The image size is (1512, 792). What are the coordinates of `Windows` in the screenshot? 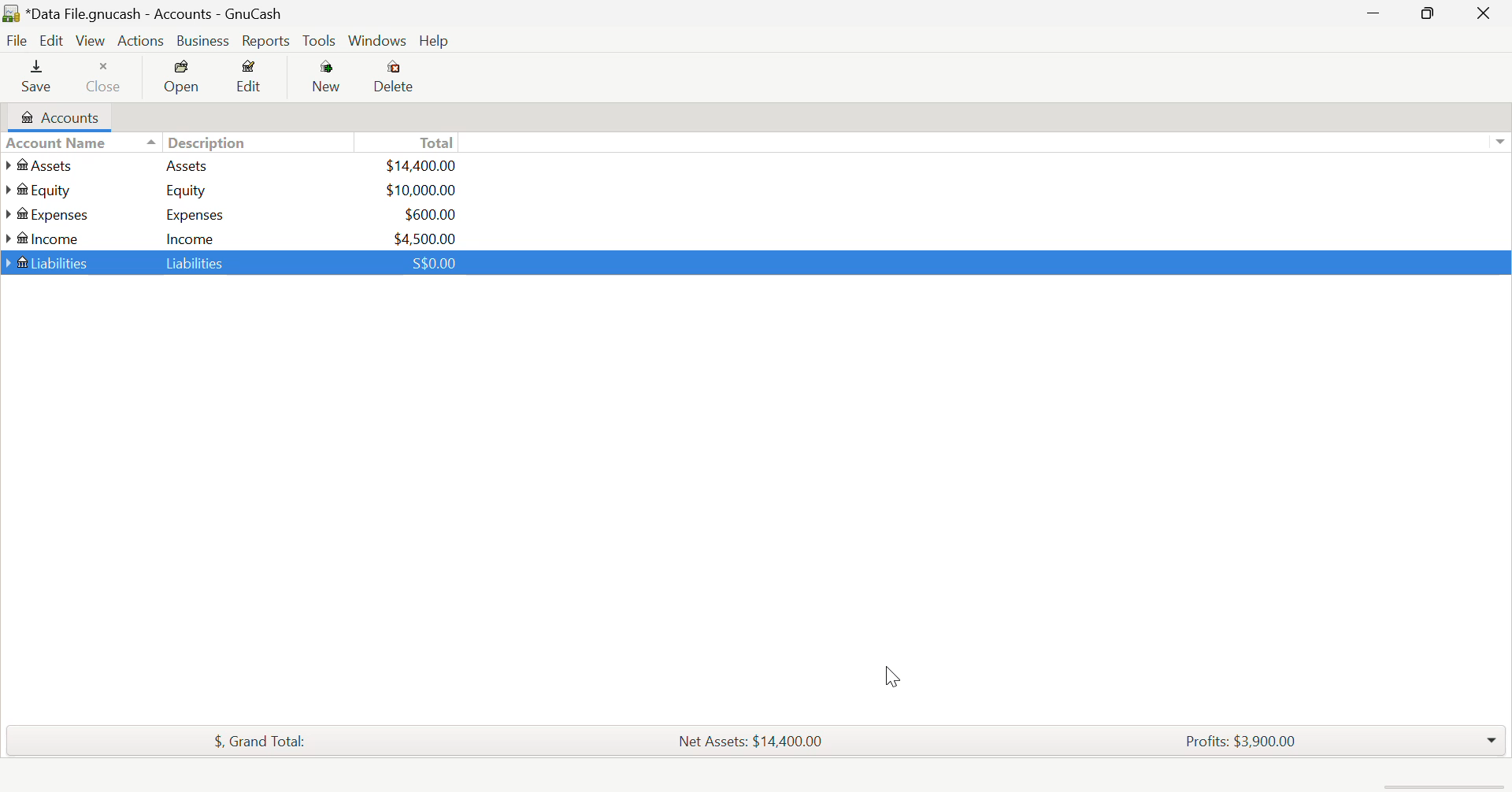 It's located at (378, 43).